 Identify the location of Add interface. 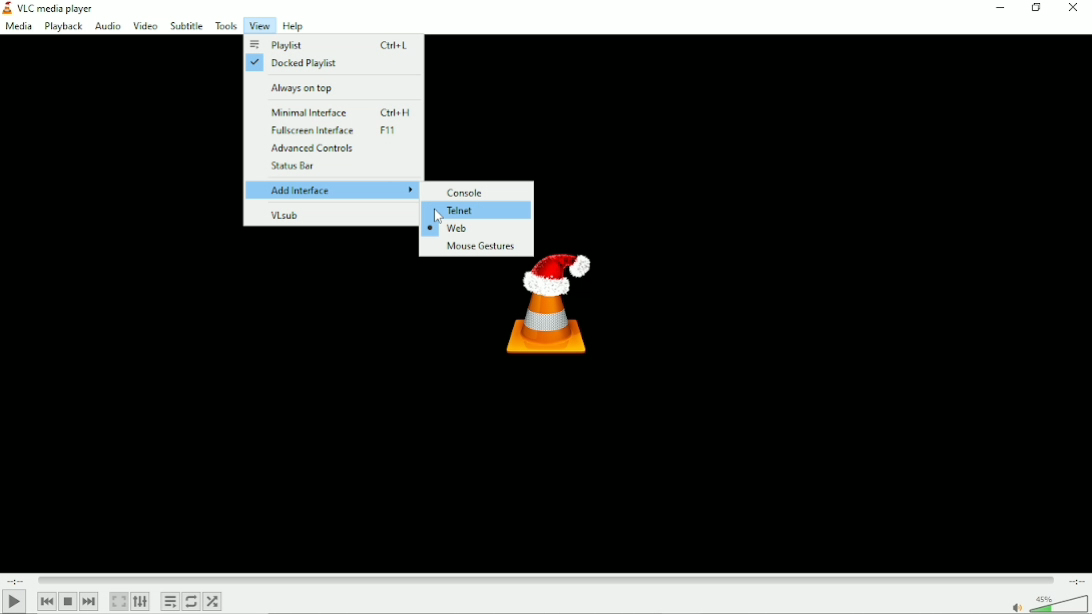
(331, 191).